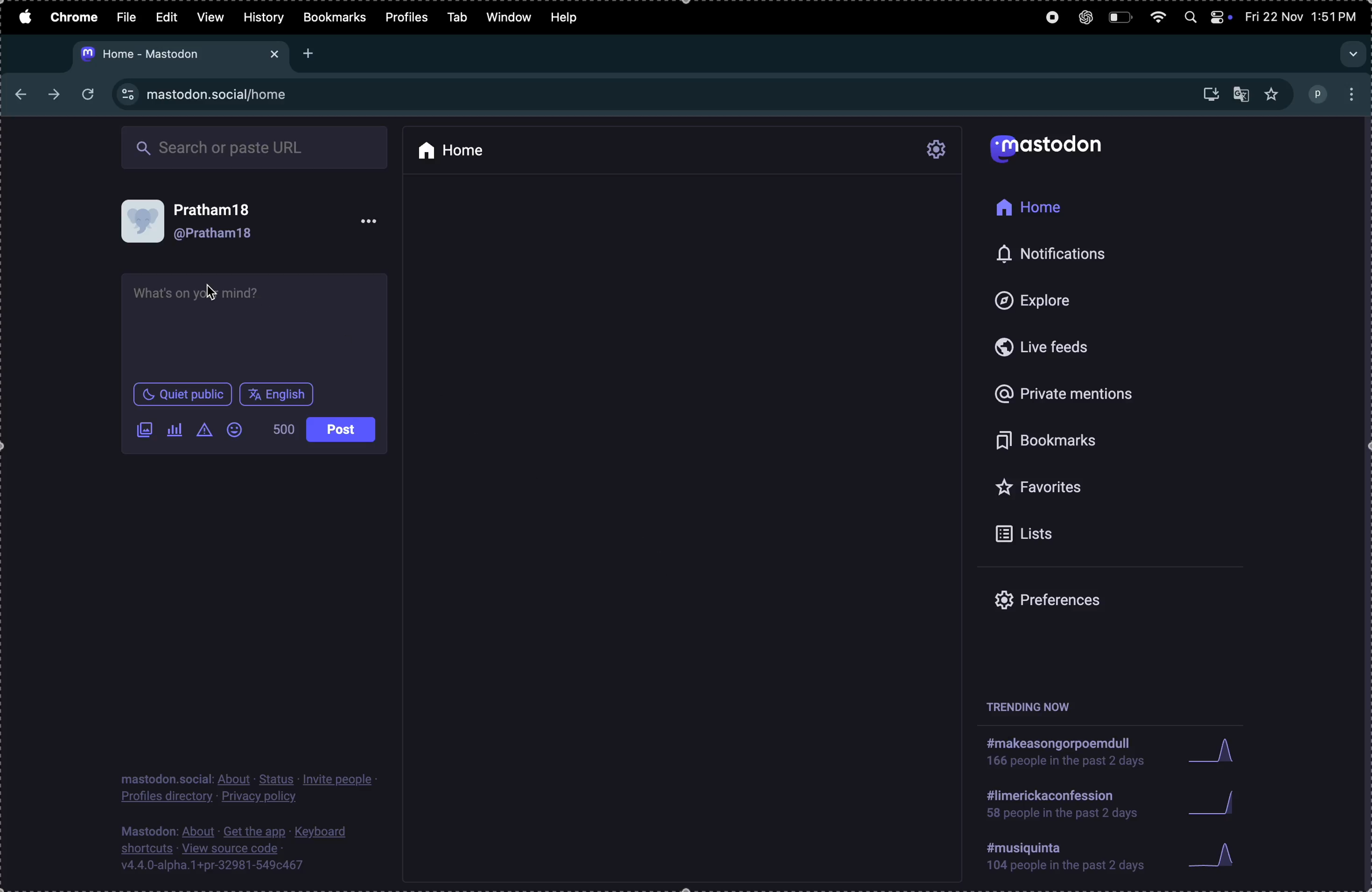 This screenshot has height=892, width=1372. I want to click on record, so click(1049, 18).